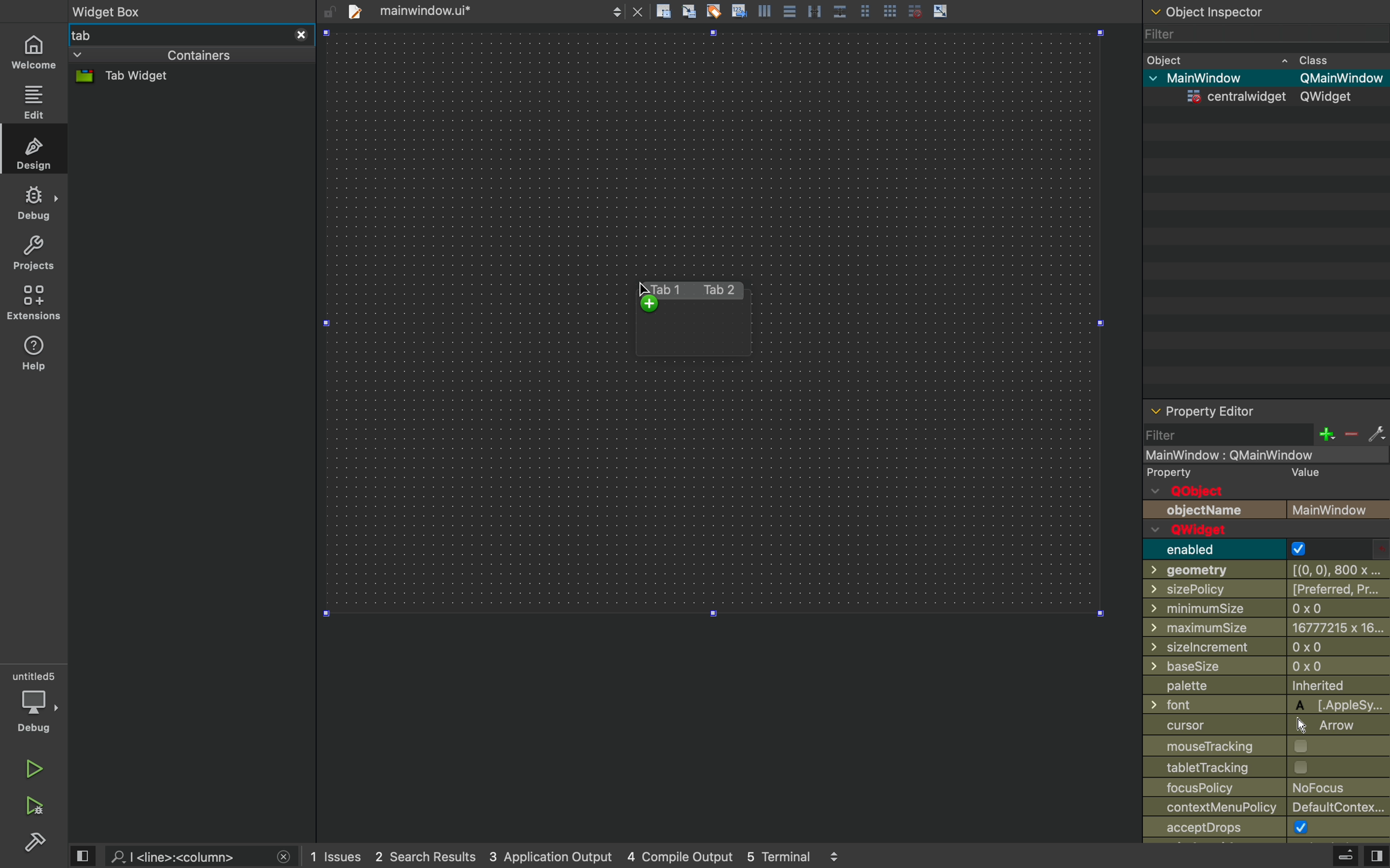 The image size is (1390, 868). Describe the element at coordinates (33, 150) in the screenshot. I see `design` at that location.